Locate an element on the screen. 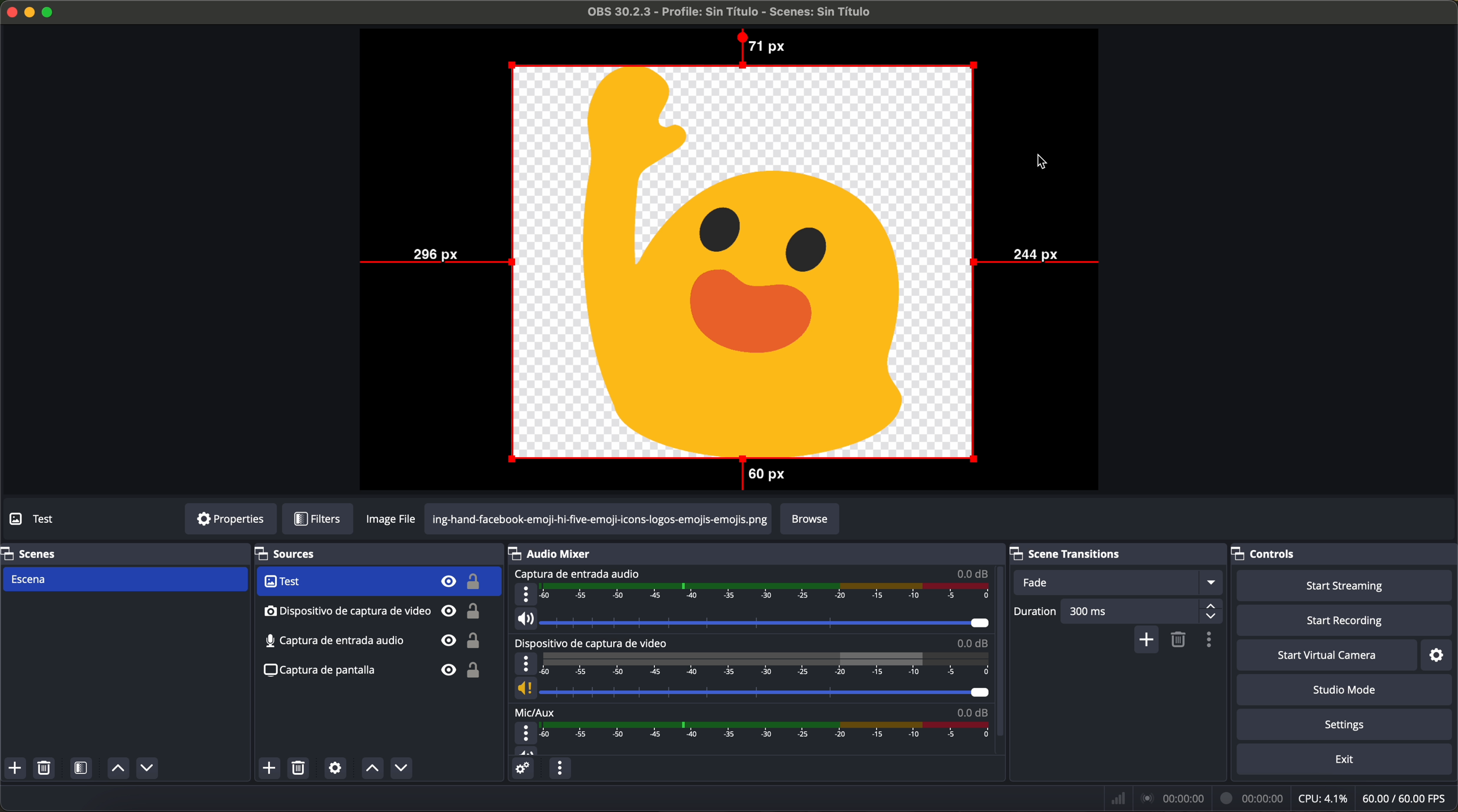  0.0 dB is located at coordinates (973, 643).